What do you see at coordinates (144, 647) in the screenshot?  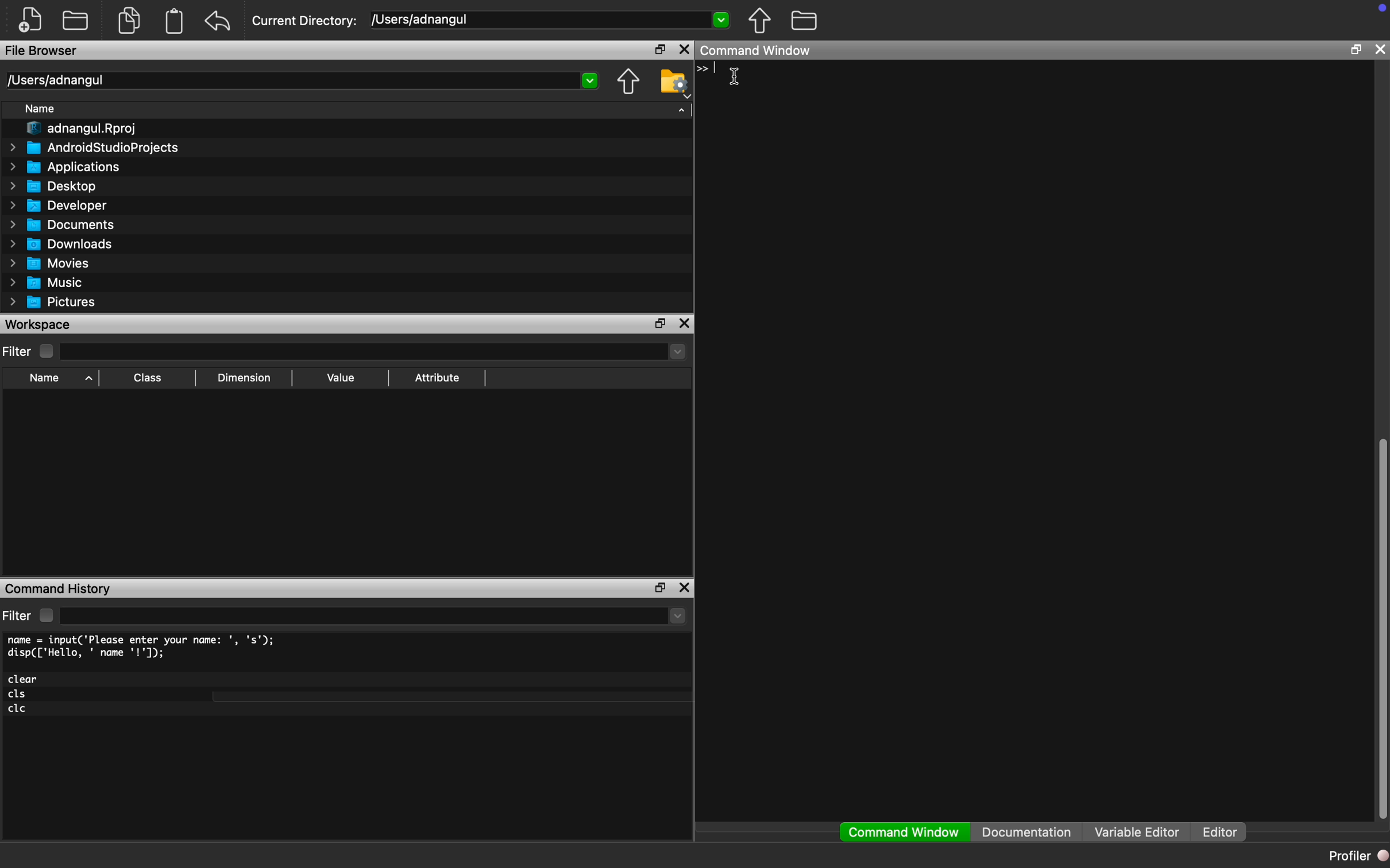 I see `name = input('Please enter your name: ', 's');
disp(['Hello, ' name '!']);` at bounding box center [144, 647].